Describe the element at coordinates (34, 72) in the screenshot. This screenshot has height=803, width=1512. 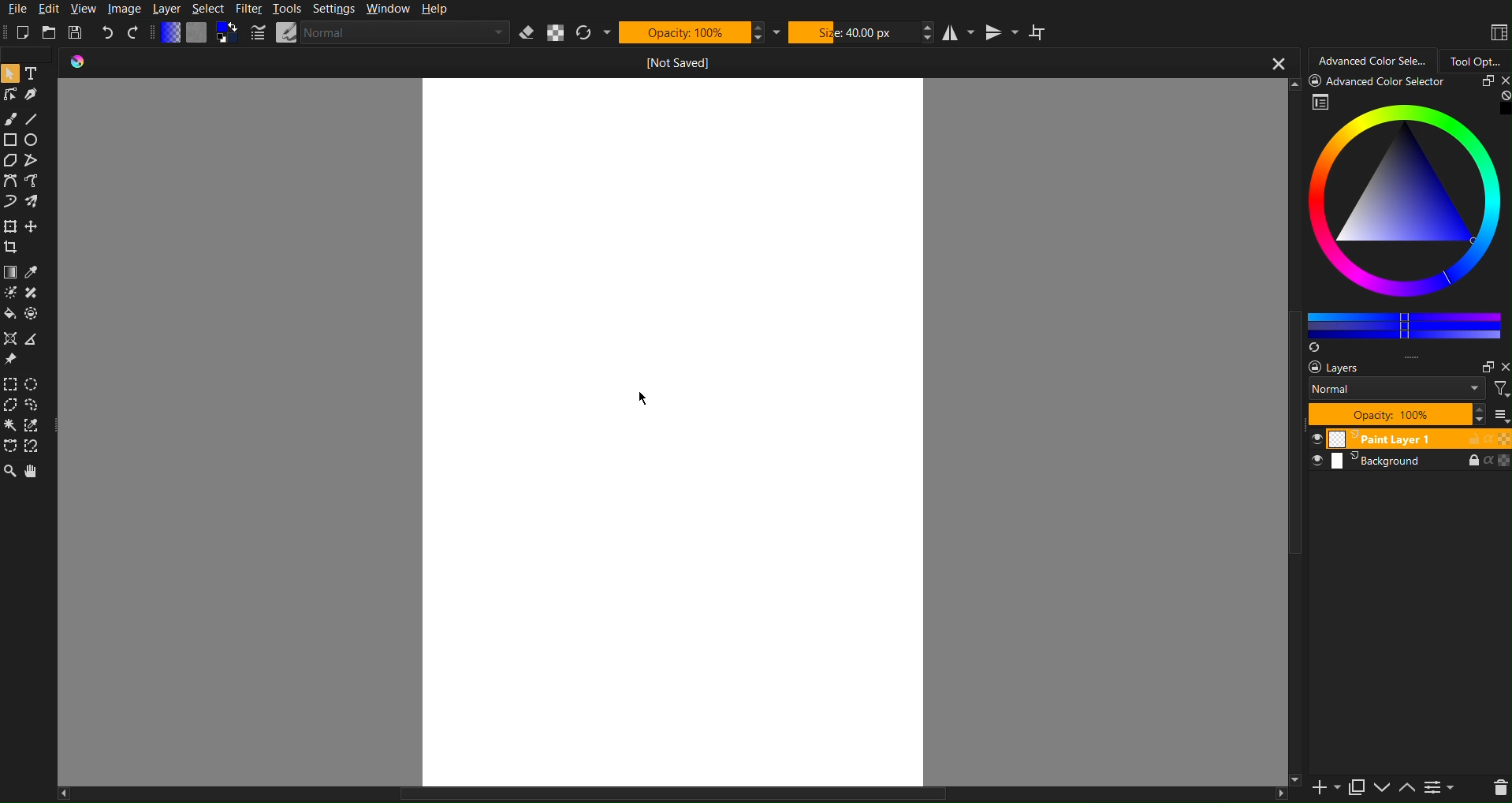
I see `Text` at that location.